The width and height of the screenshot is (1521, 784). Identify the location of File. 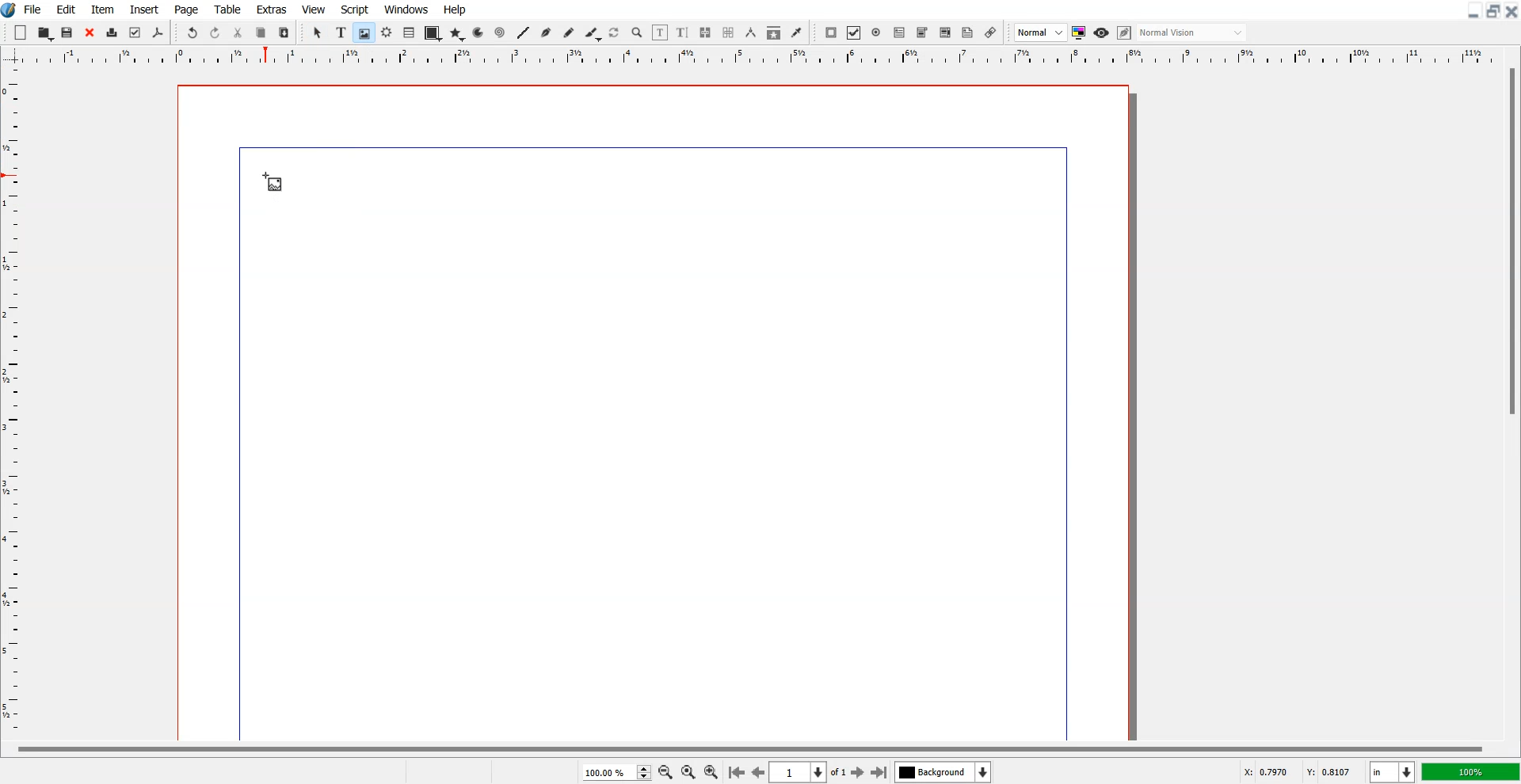
(33, 9).